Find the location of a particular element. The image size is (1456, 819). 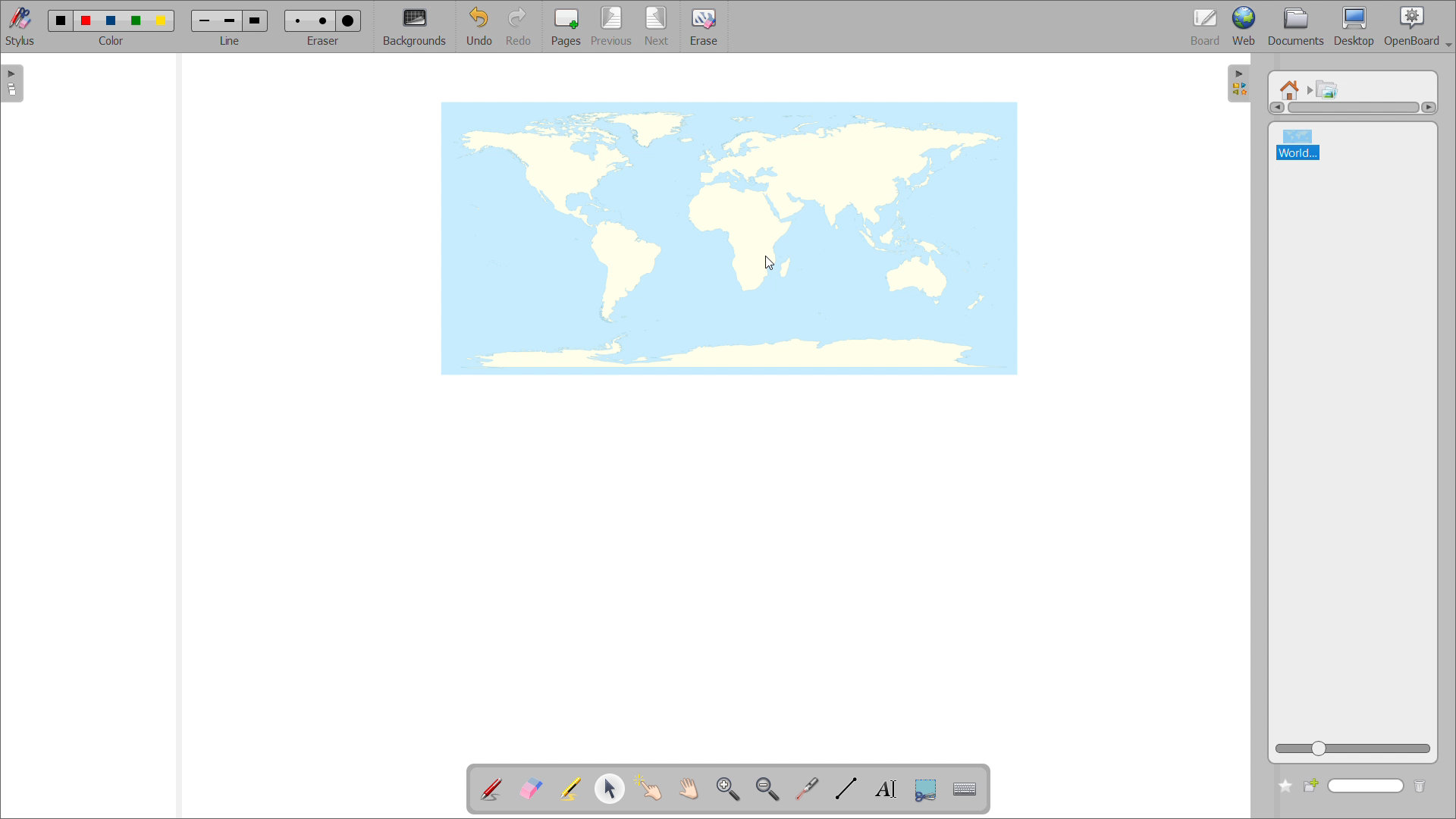

create new folder is located at coordinates (1310, 787).